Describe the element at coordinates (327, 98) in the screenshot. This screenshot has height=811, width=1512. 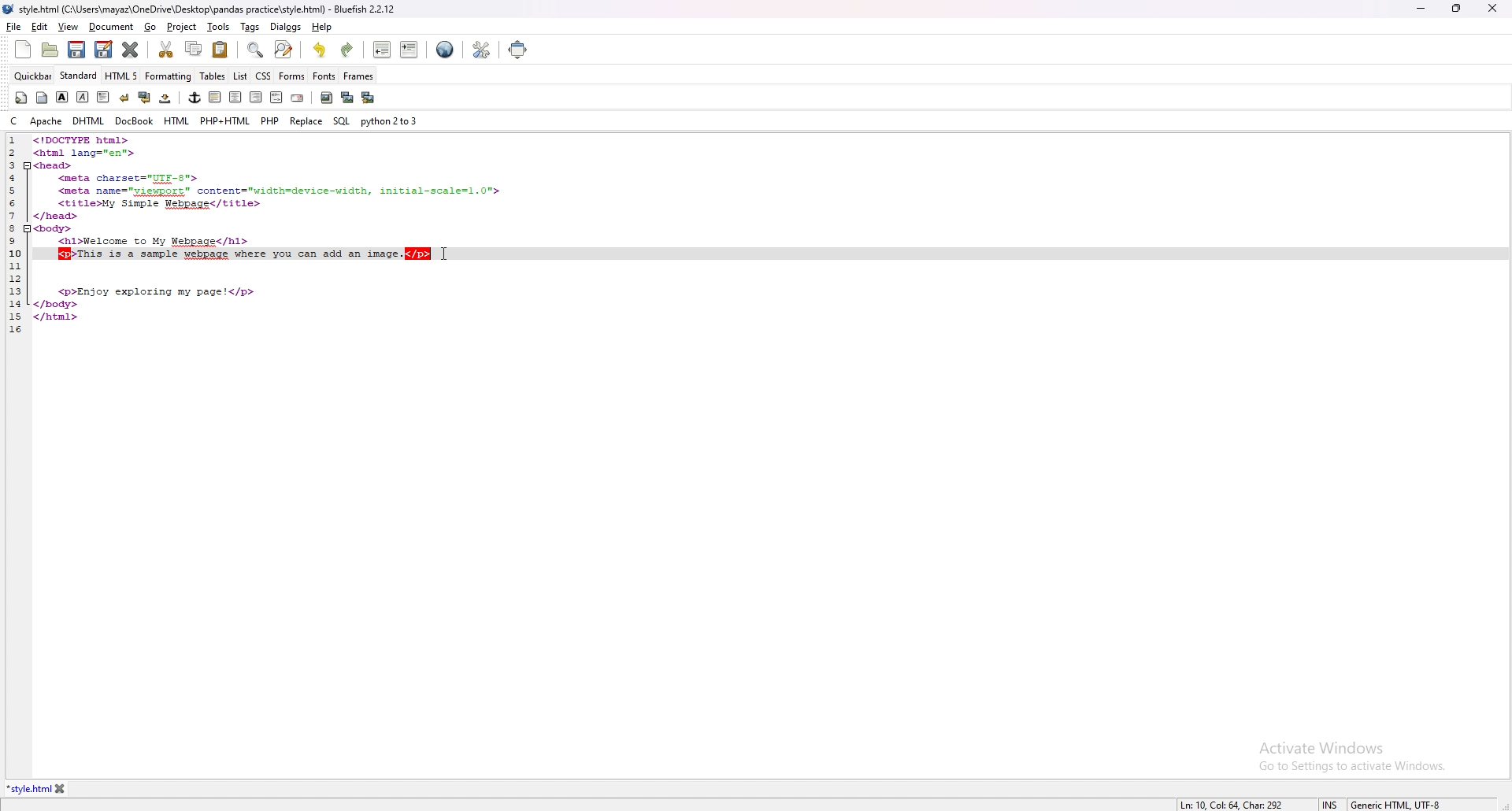
I see `insert image` at that location.